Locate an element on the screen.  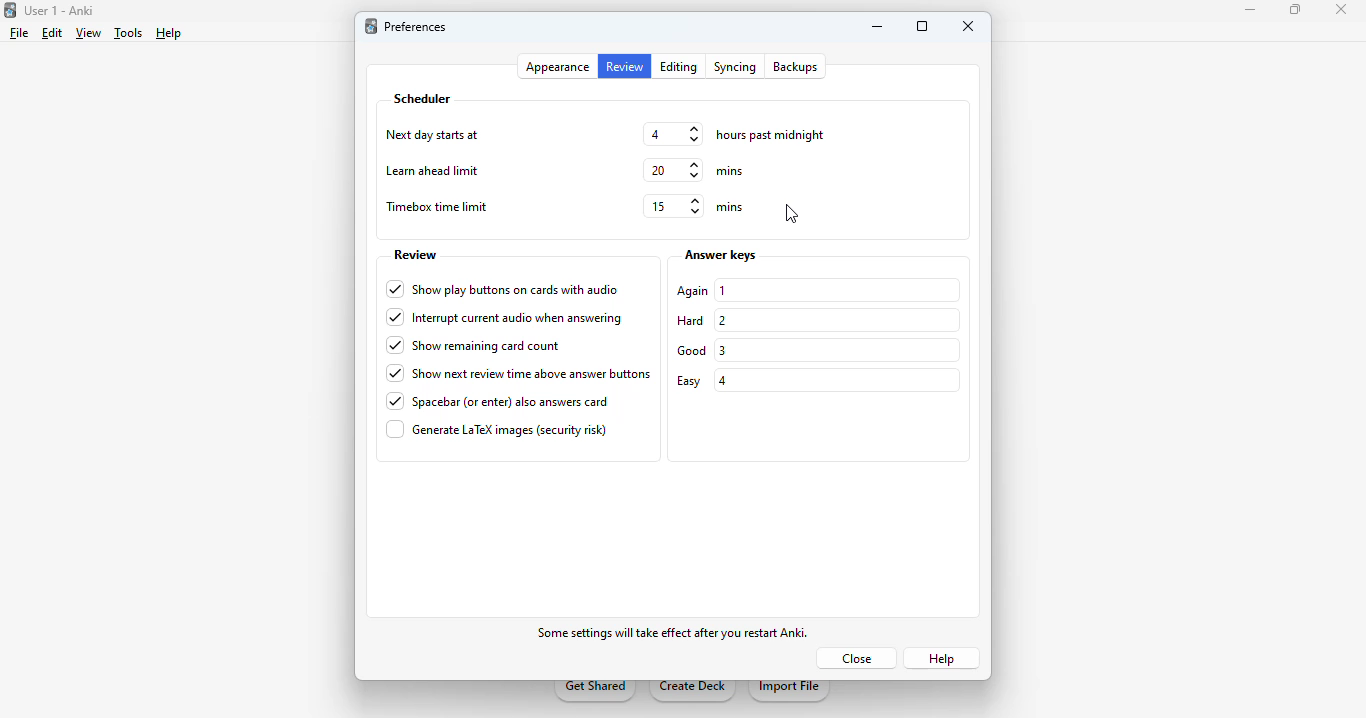
mins is located at coordinates (731, 171).